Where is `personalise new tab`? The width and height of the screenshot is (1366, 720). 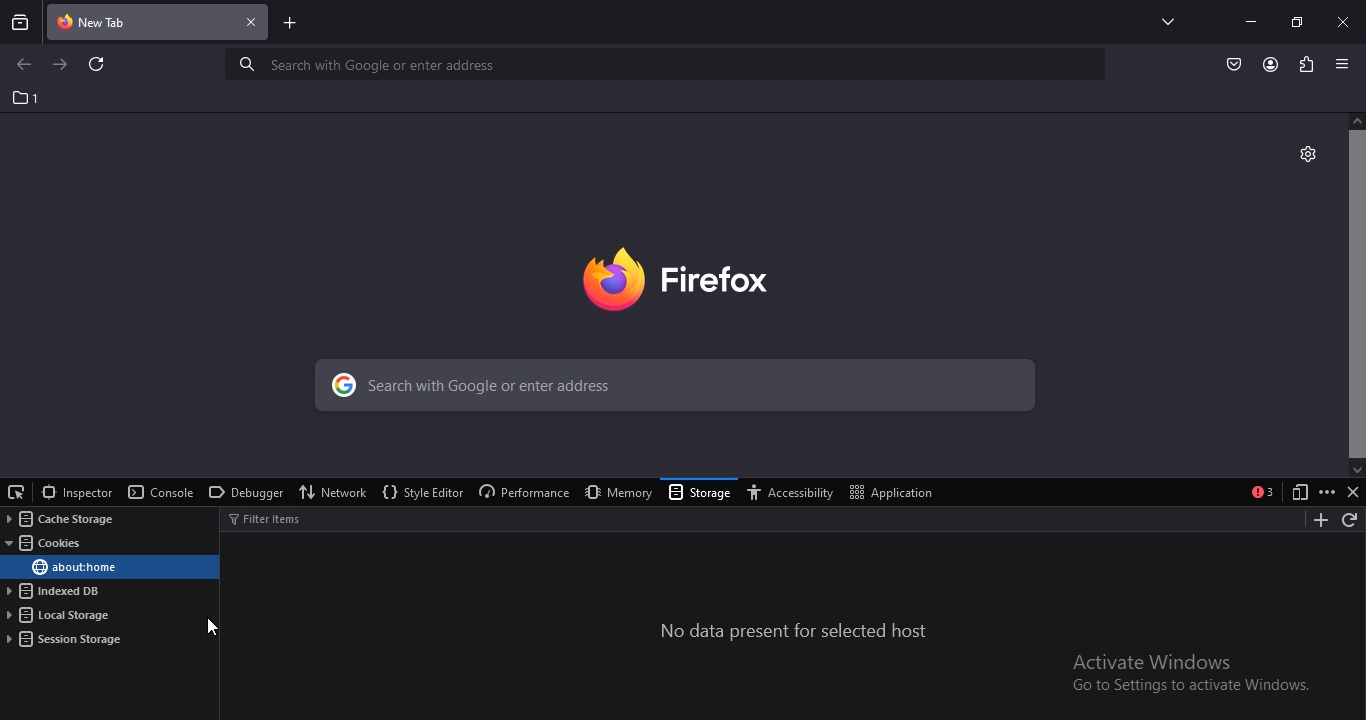
personalise new tab is located at coordinates (1307, 152).